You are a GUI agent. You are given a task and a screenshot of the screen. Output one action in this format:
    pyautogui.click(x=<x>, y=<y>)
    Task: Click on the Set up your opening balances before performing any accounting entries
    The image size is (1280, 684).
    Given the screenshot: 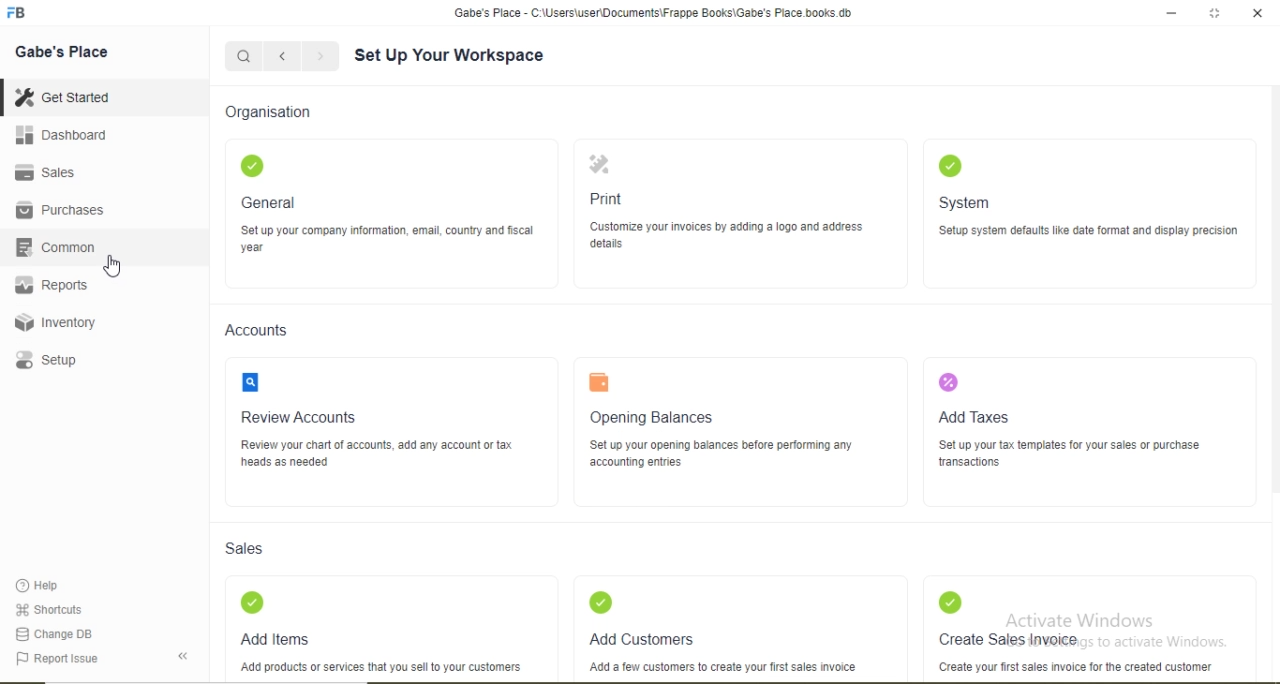 What is the action you would take?
    pyautogui.click(x=722, y=454)
    